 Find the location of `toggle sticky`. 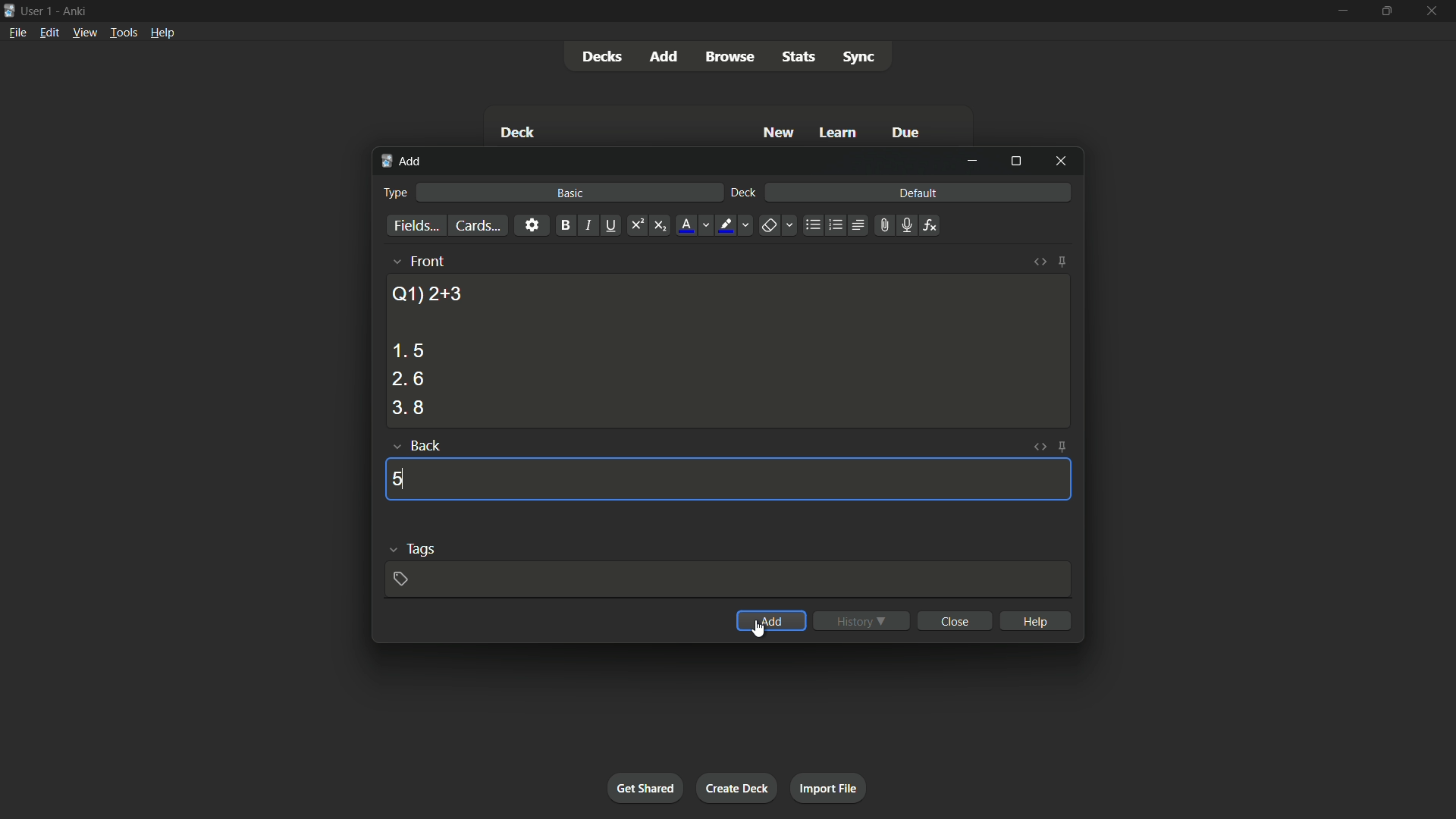

toggle sticky is located at coordinates (1062, 262).